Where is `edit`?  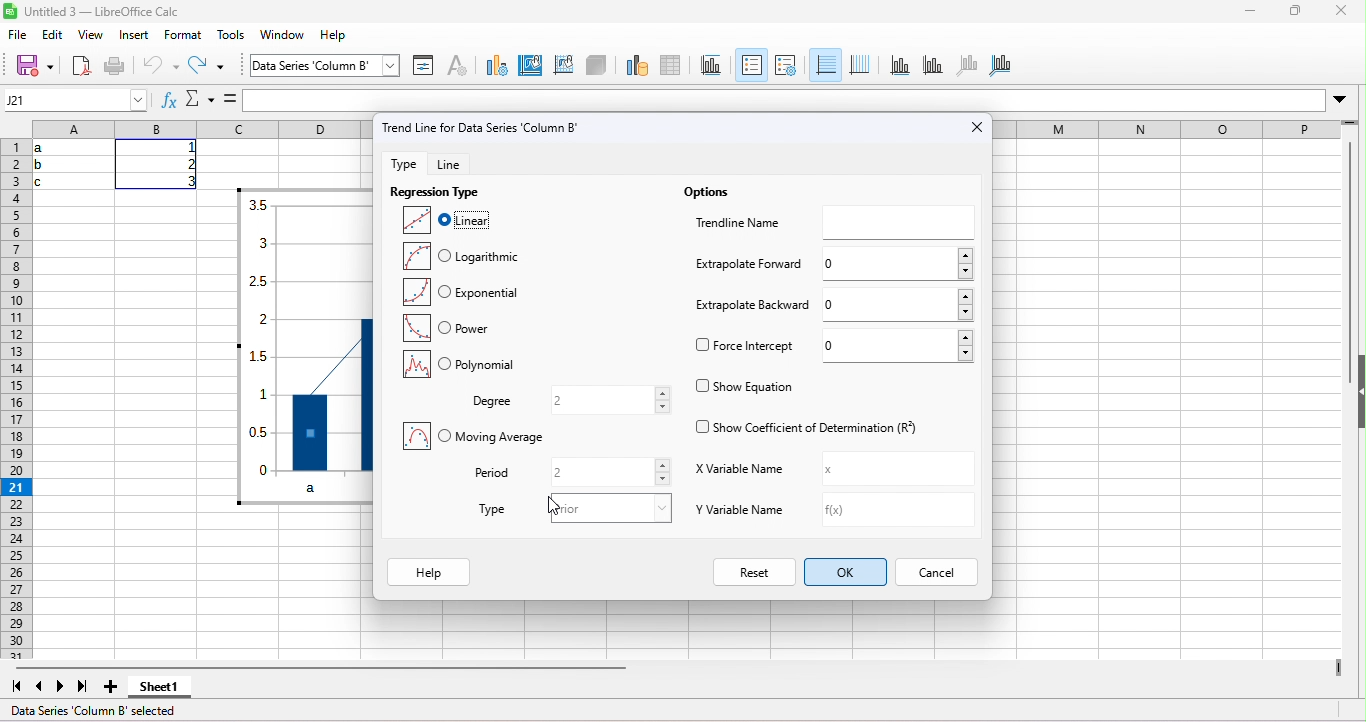
edit is located at coordinates (55, 36).